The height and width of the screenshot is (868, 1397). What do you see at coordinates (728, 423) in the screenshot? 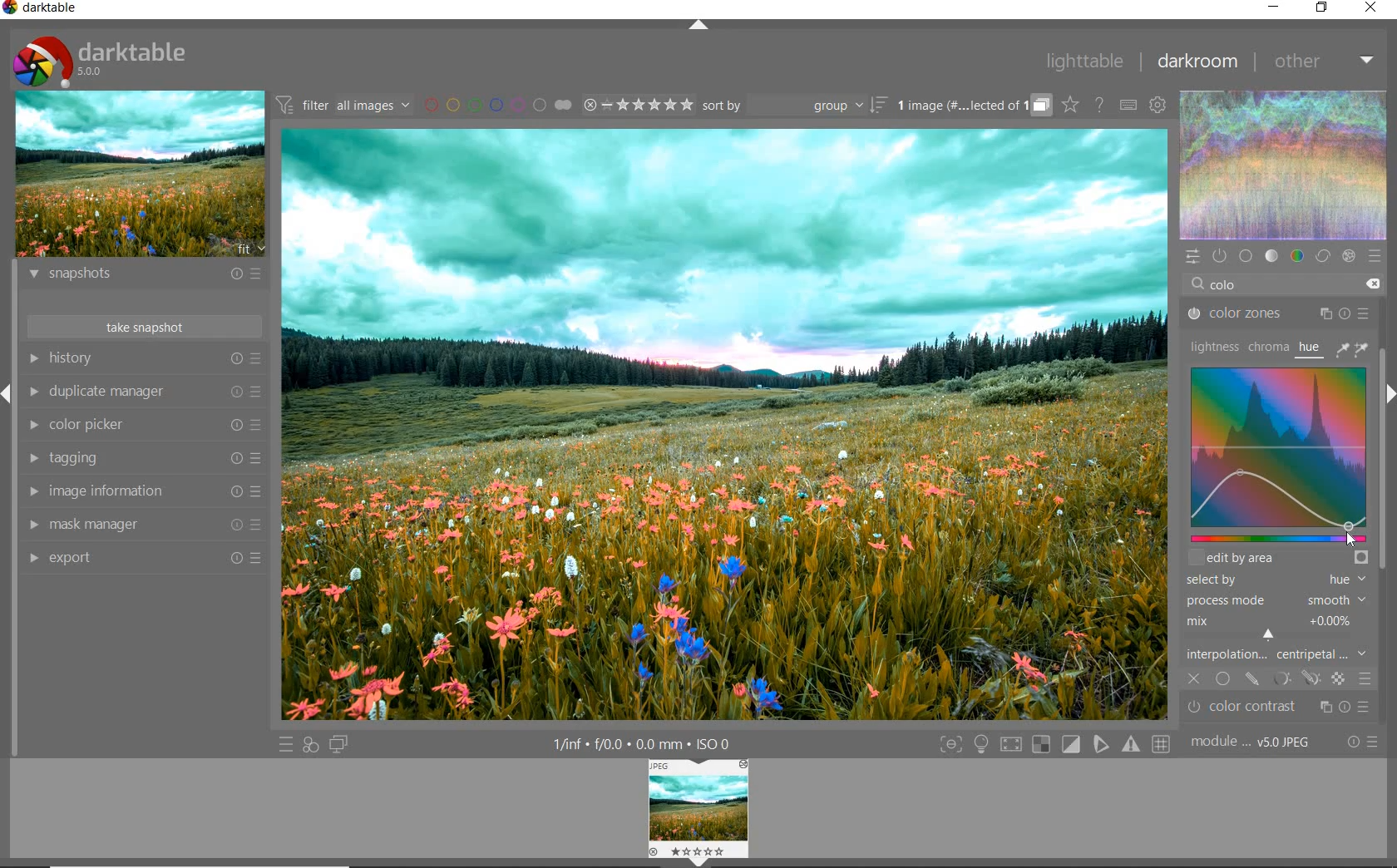
I see `selected image` at bounding box center [728, 423].